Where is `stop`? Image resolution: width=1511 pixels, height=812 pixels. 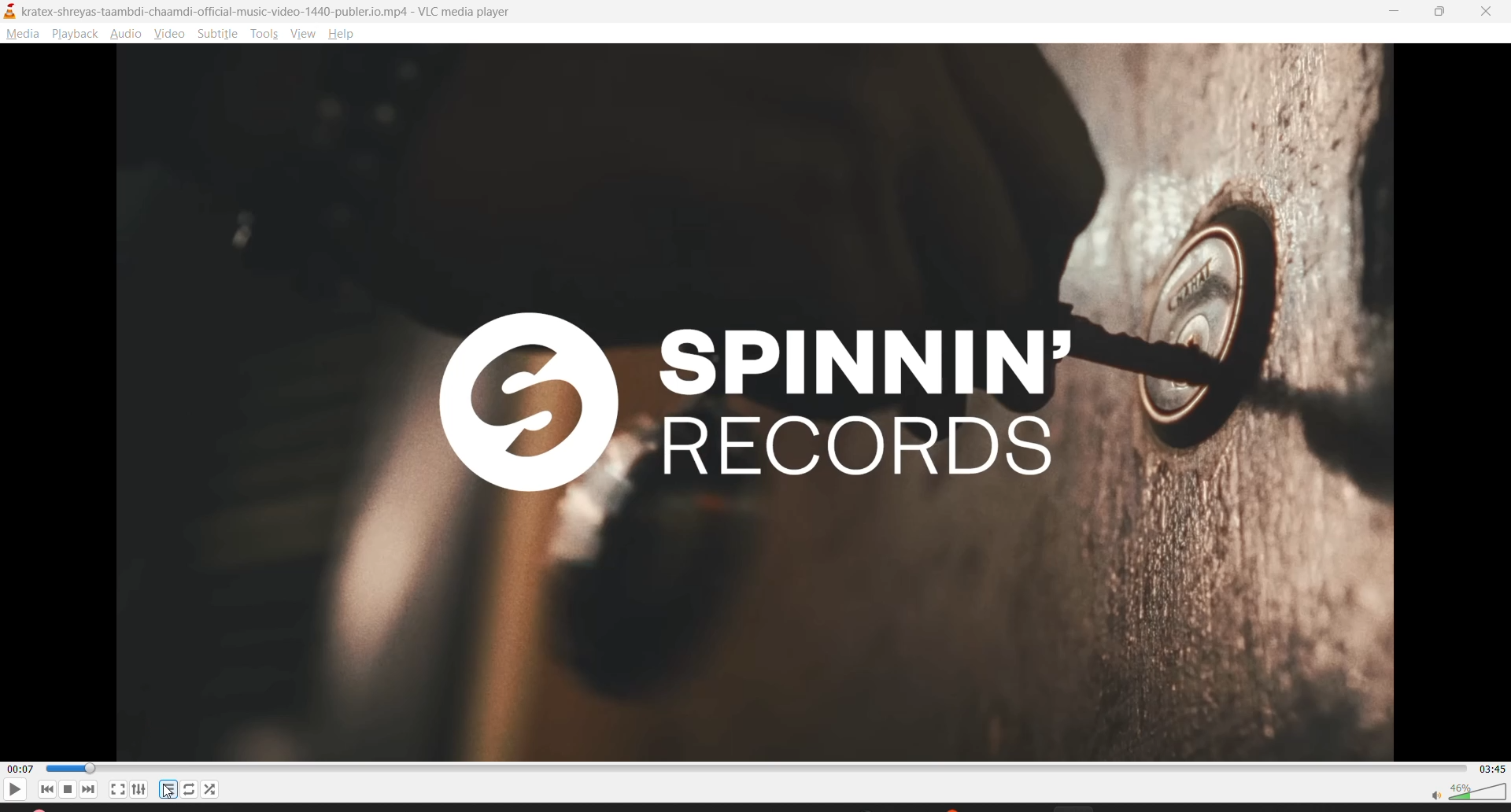
stop is located at coordinates (66, 789).